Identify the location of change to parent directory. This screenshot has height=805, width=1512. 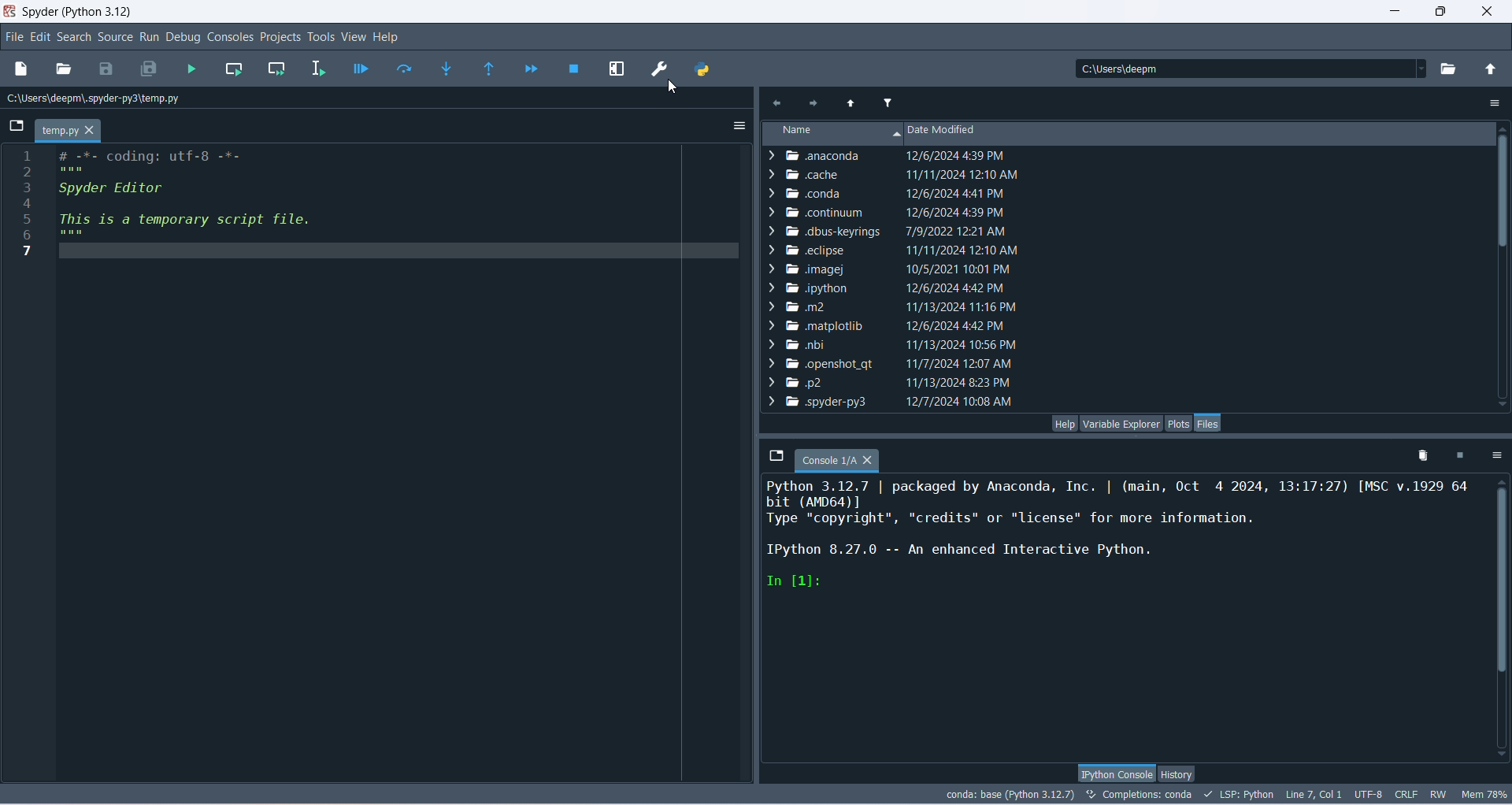
(1491, 71).